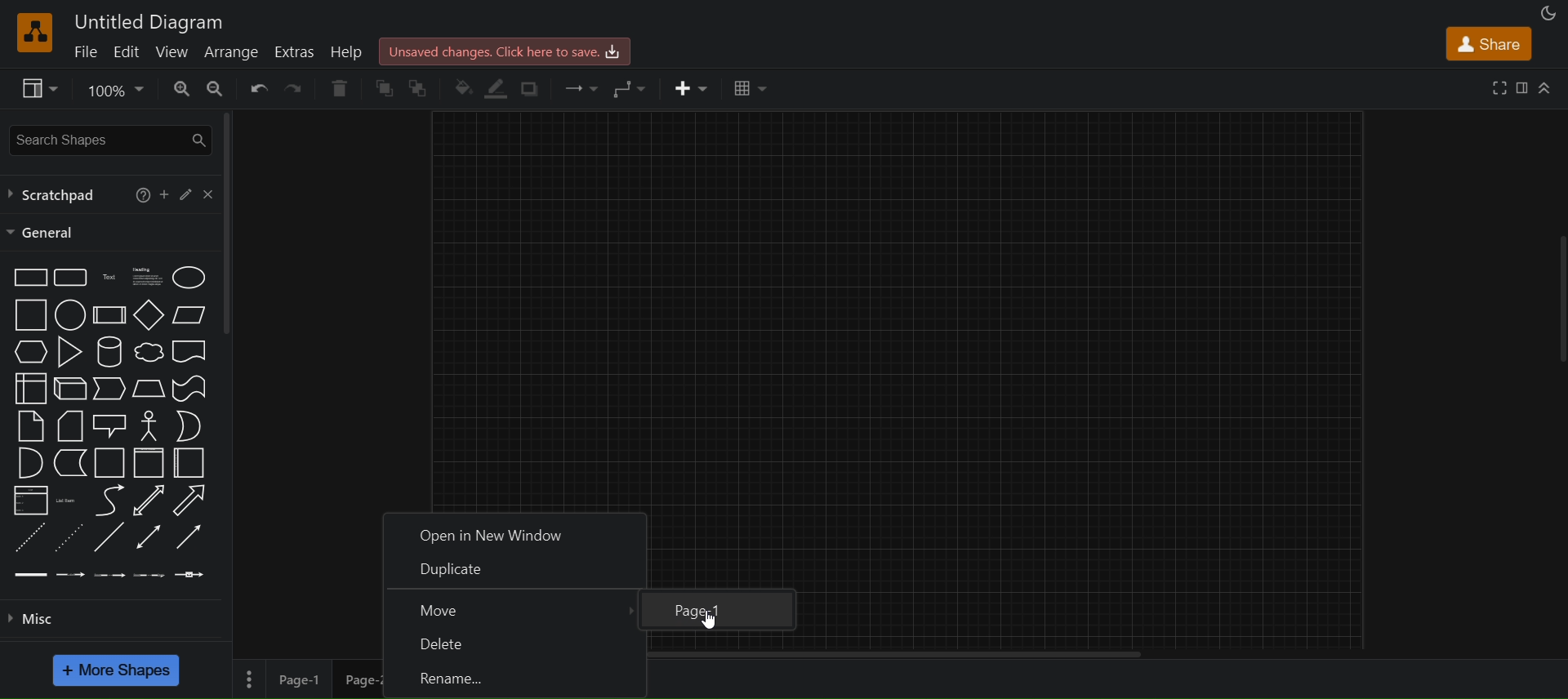  Describe the element at coordinates (109, 390) in the screenshot. I see `step` at that location.